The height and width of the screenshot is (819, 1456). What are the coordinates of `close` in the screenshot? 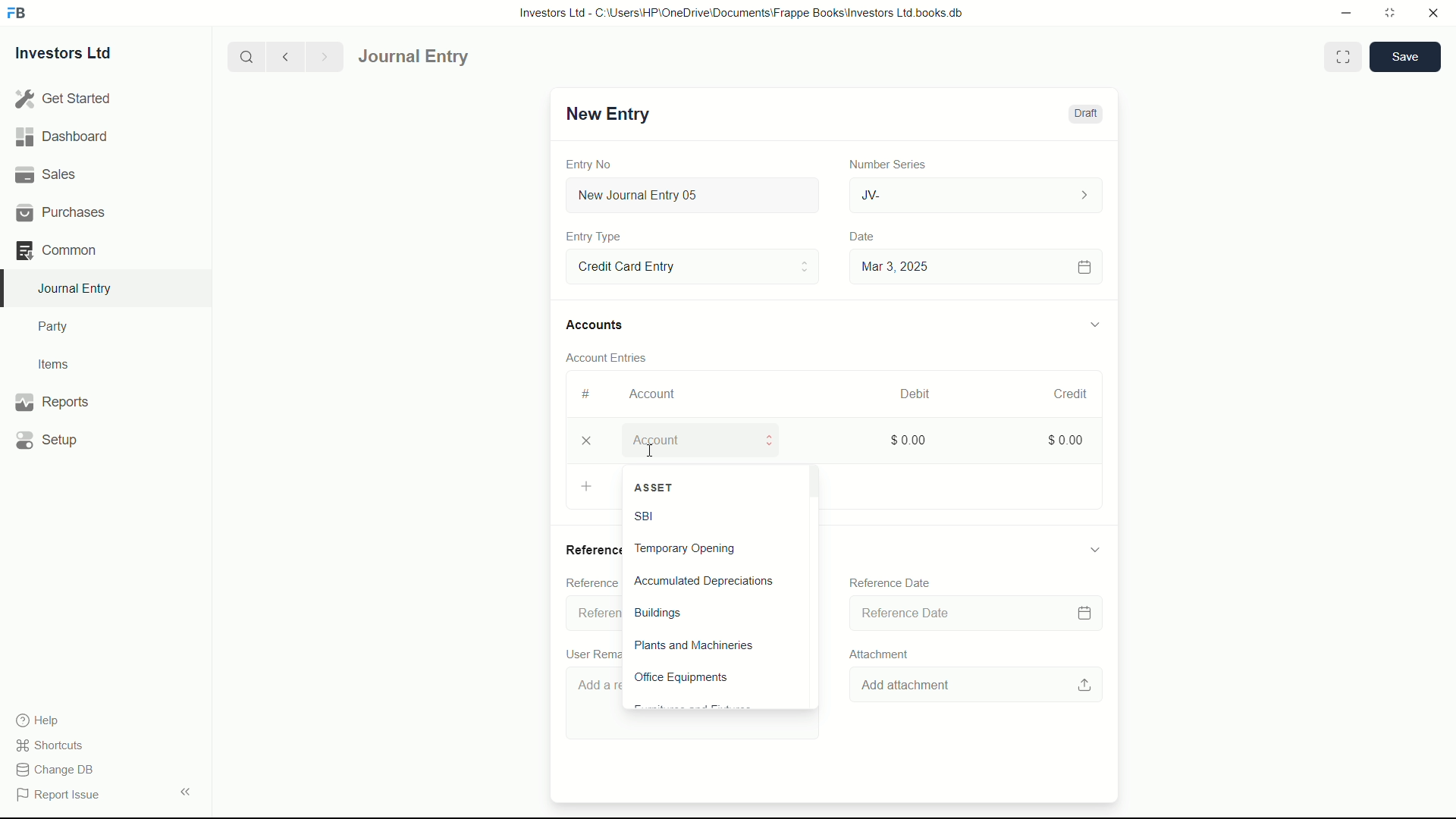 It's located at (1434, 14).